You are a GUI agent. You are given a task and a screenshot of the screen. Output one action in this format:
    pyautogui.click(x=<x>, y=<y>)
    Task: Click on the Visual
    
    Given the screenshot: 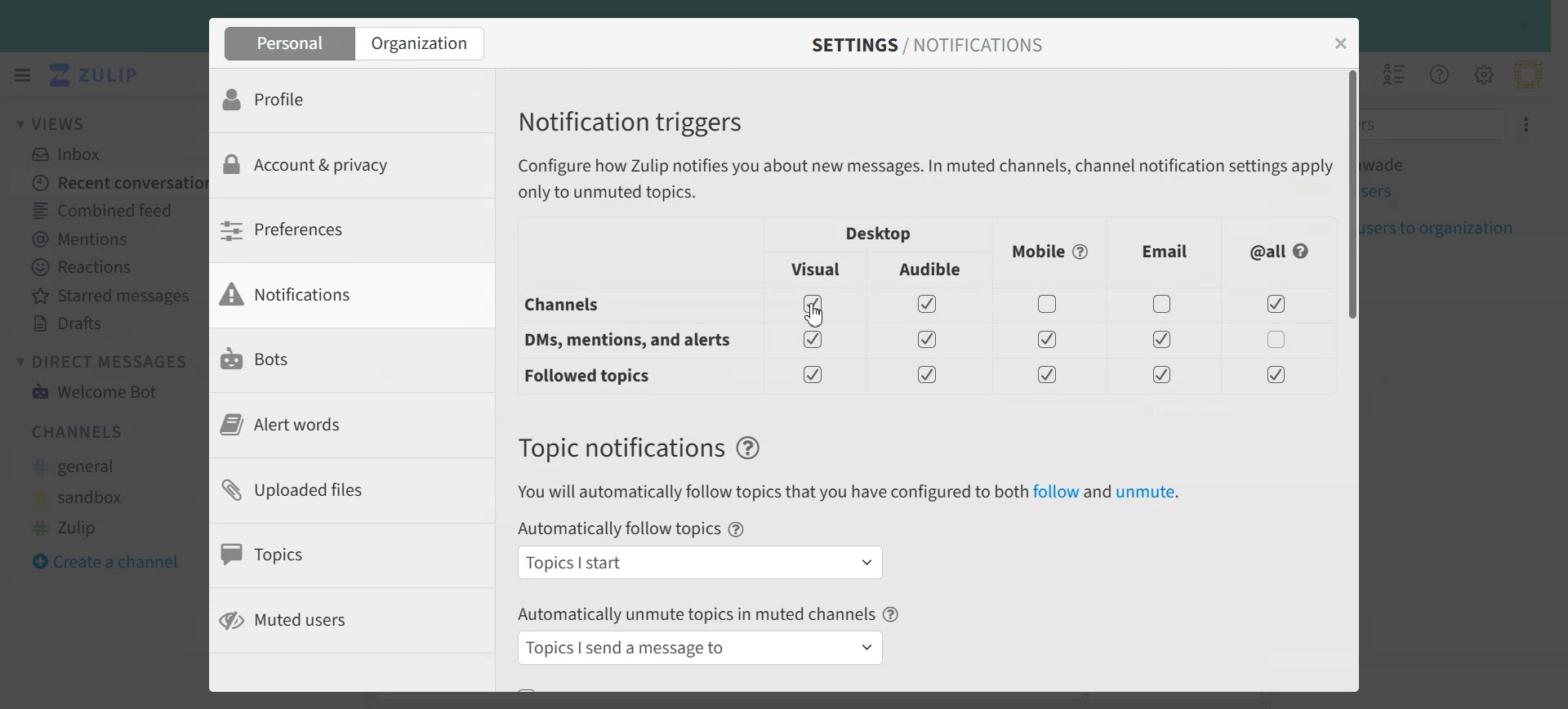 What is the action you would take?
    pyautogui.click(x=817, y=270)
    